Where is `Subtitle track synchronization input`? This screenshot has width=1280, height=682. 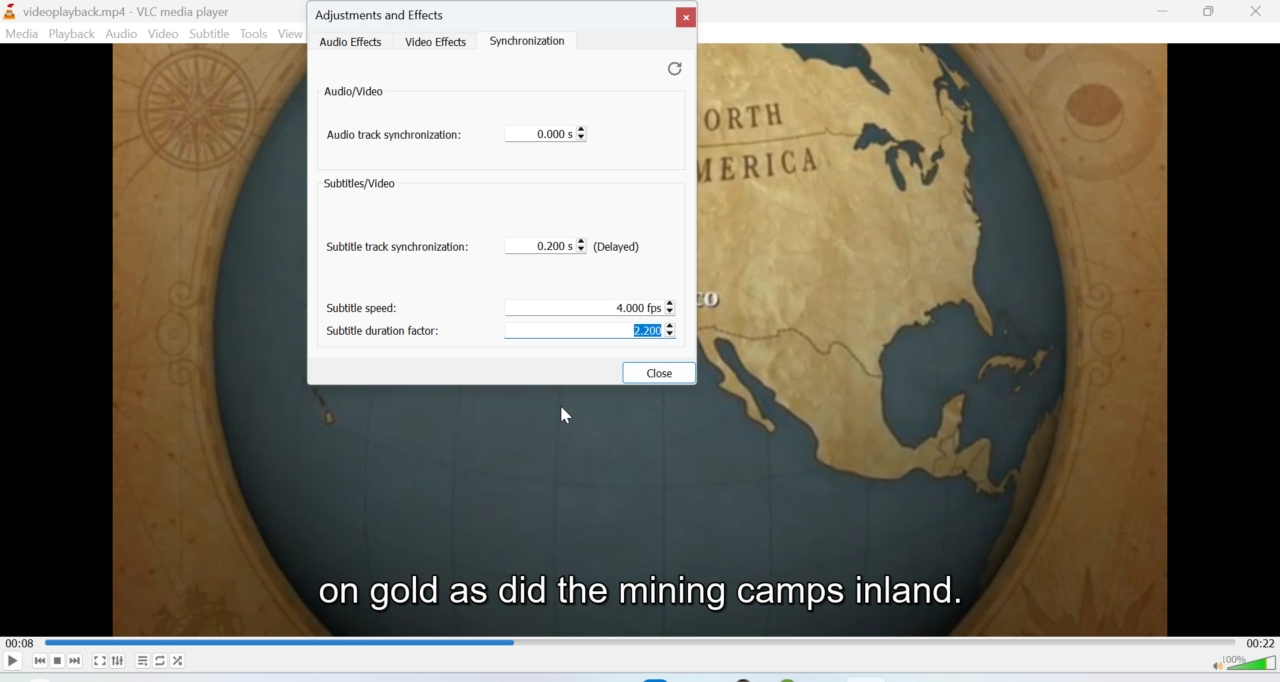
Subtitle track synchronization input is located at coordinates (590, 248).